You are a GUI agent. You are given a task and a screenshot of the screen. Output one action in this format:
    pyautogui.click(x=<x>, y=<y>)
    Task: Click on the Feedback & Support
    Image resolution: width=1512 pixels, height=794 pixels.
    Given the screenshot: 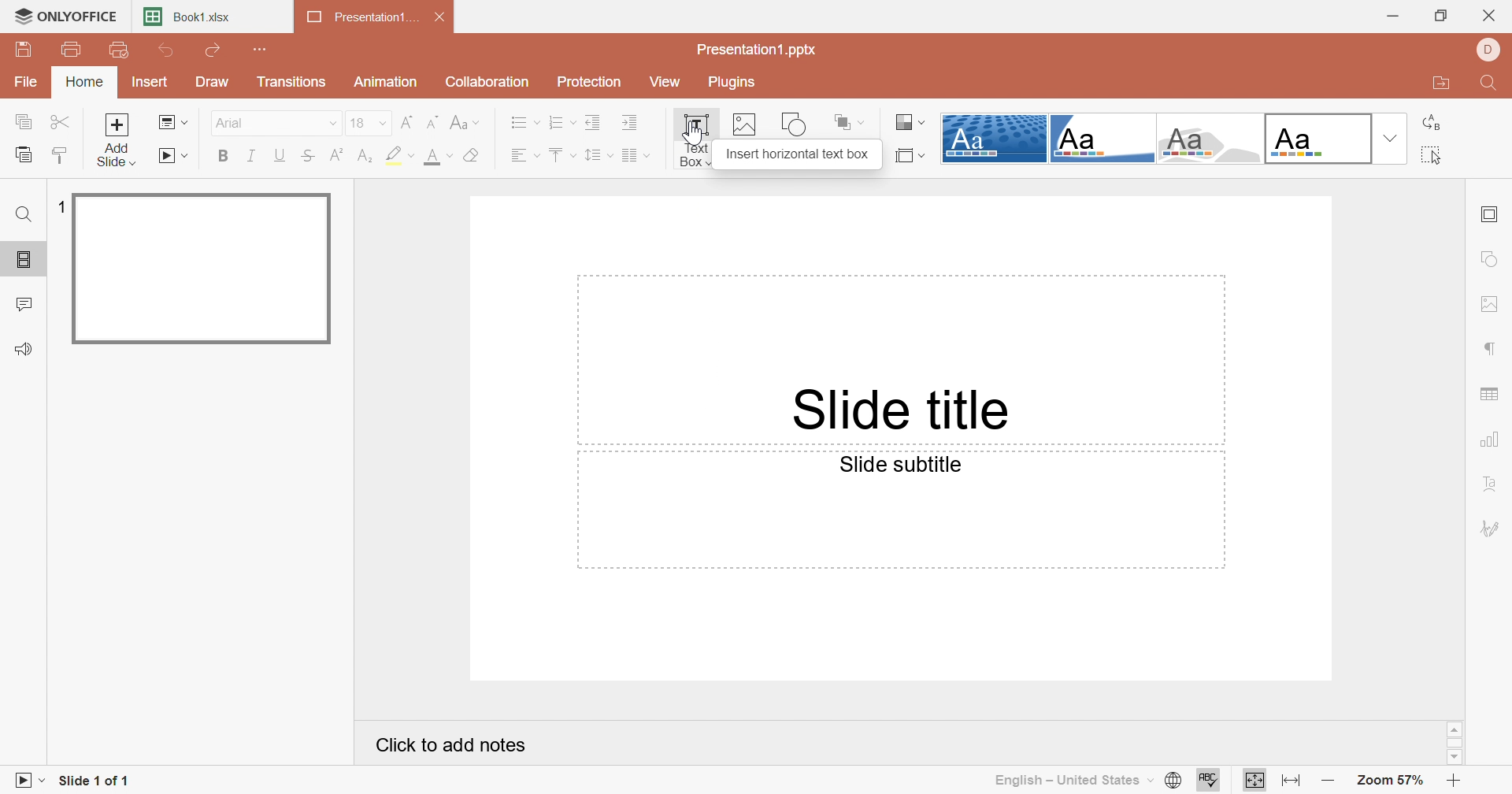 What is the action you would take?
    pyautogui.click(x=27, y=348)
    